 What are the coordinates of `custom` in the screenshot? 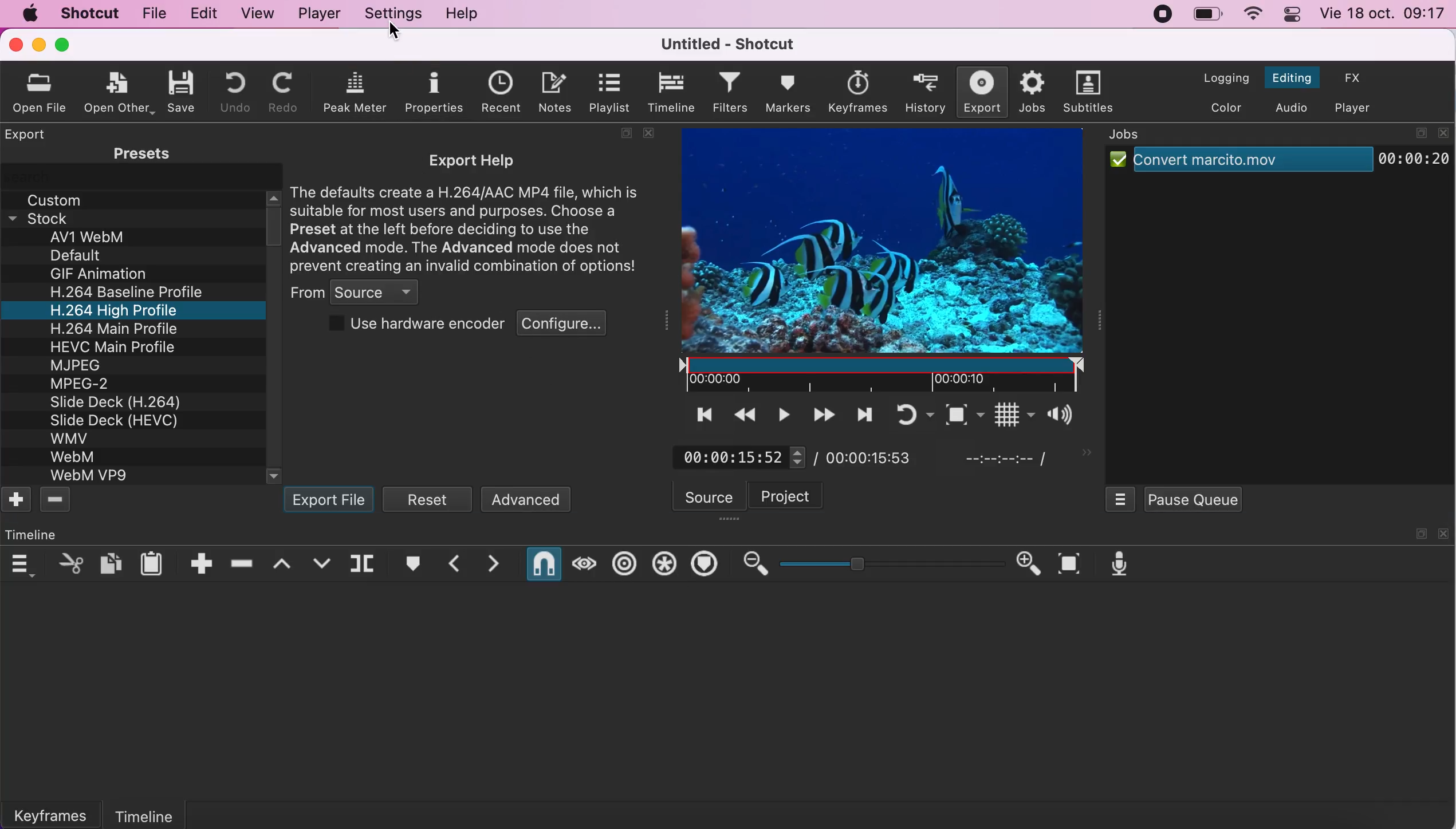 It's located at (59, 198).